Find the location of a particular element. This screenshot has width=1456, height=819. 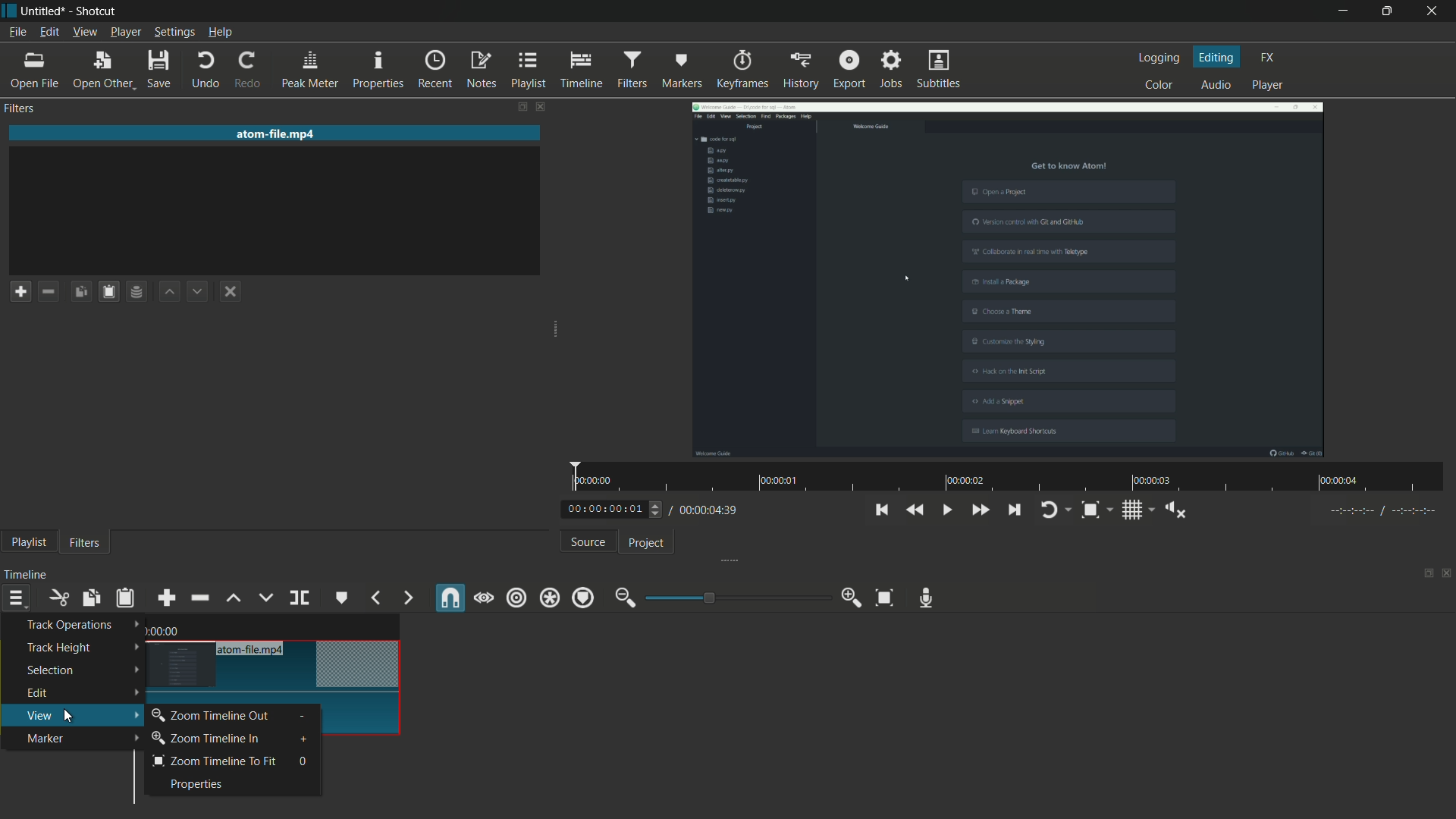

move filter down is located at coordinates (198, 293).